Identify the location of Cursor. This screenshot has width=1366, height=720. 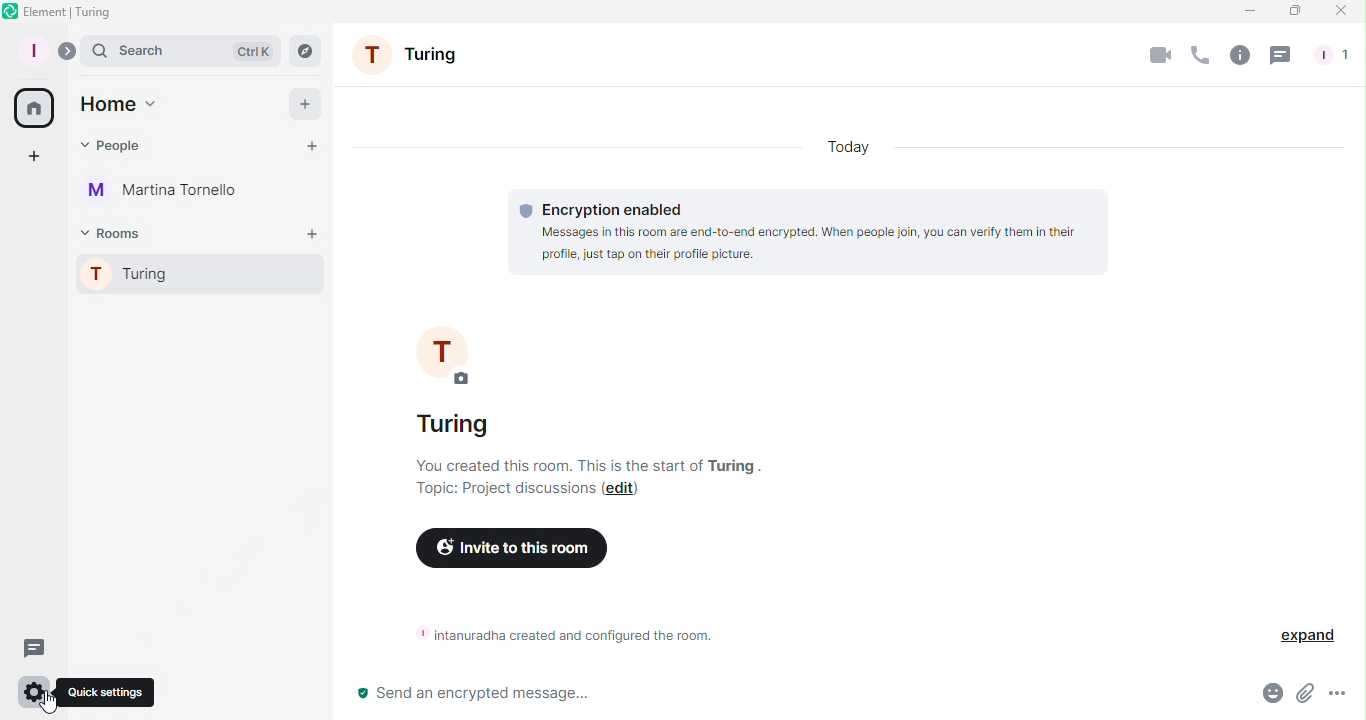
(49, 704).